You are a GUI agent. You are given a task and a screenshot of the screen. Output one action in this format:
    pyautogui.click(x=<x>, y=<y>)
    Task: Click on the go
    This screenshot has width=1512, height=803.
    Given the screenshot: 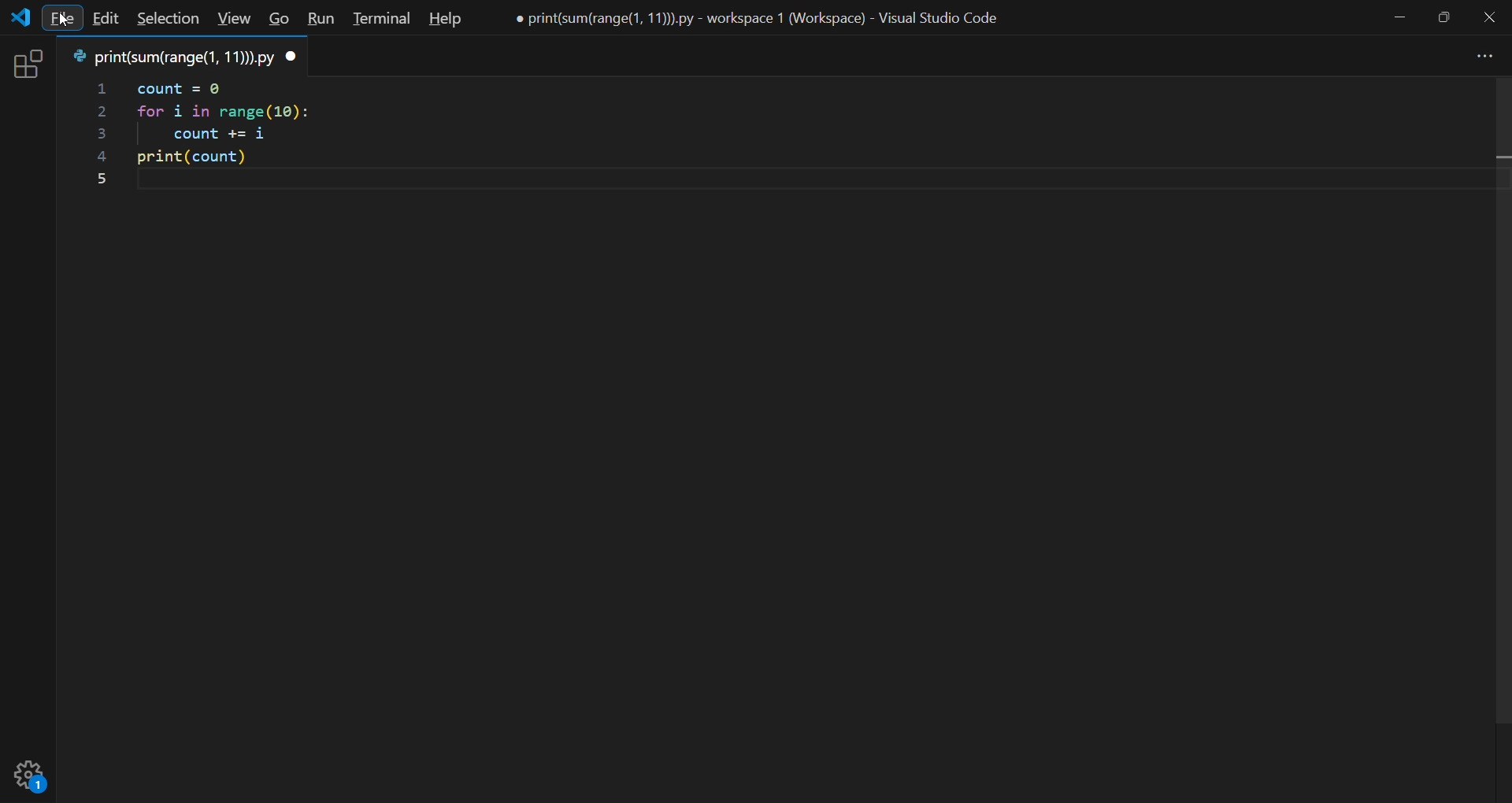 What is the action you would take?
    pyautogui.click(x=279, y=20)
    